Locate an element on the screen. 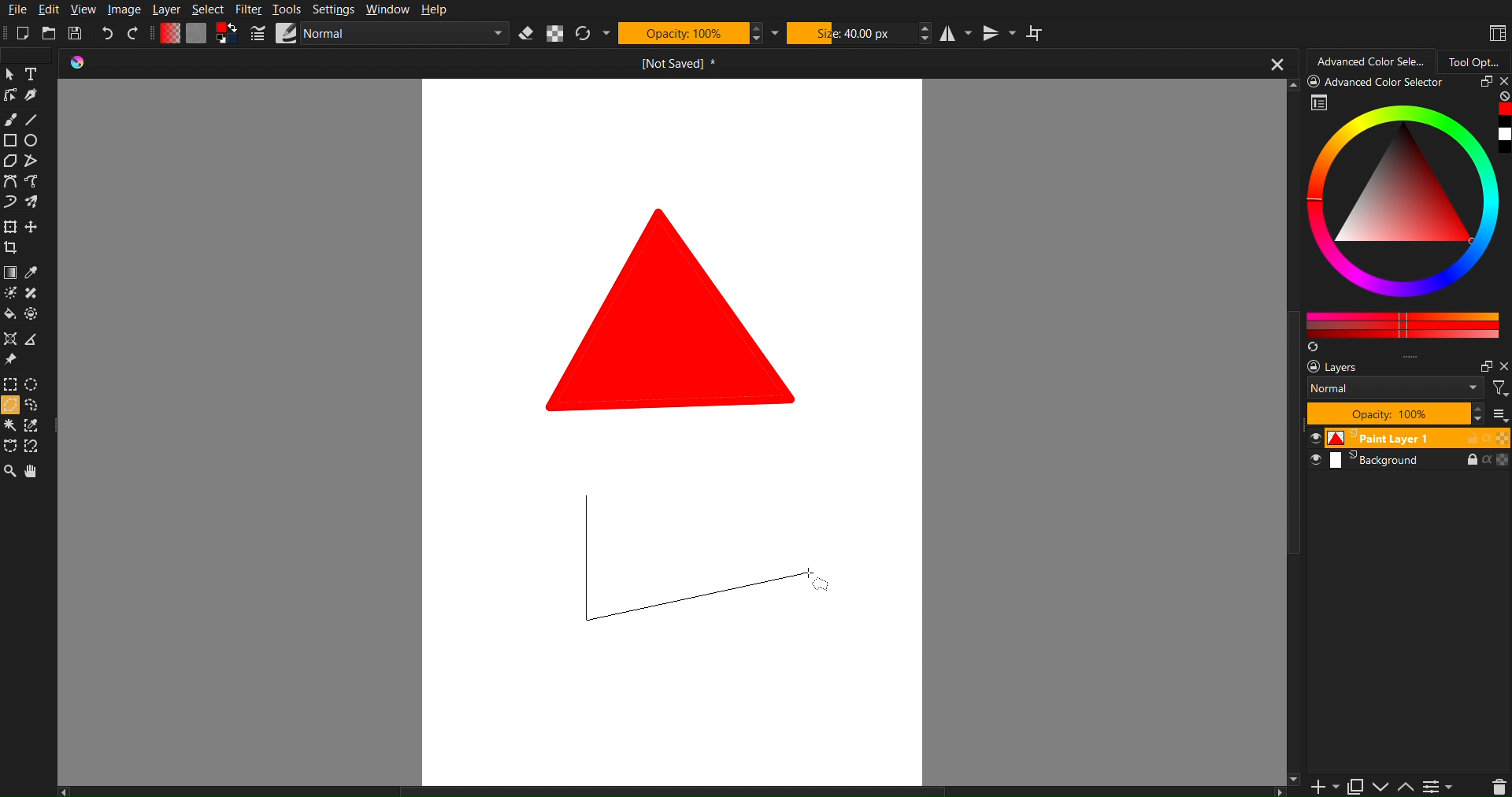 This screenshot has width=1512, height=797. Brightness is located at coordinates (9, 293).